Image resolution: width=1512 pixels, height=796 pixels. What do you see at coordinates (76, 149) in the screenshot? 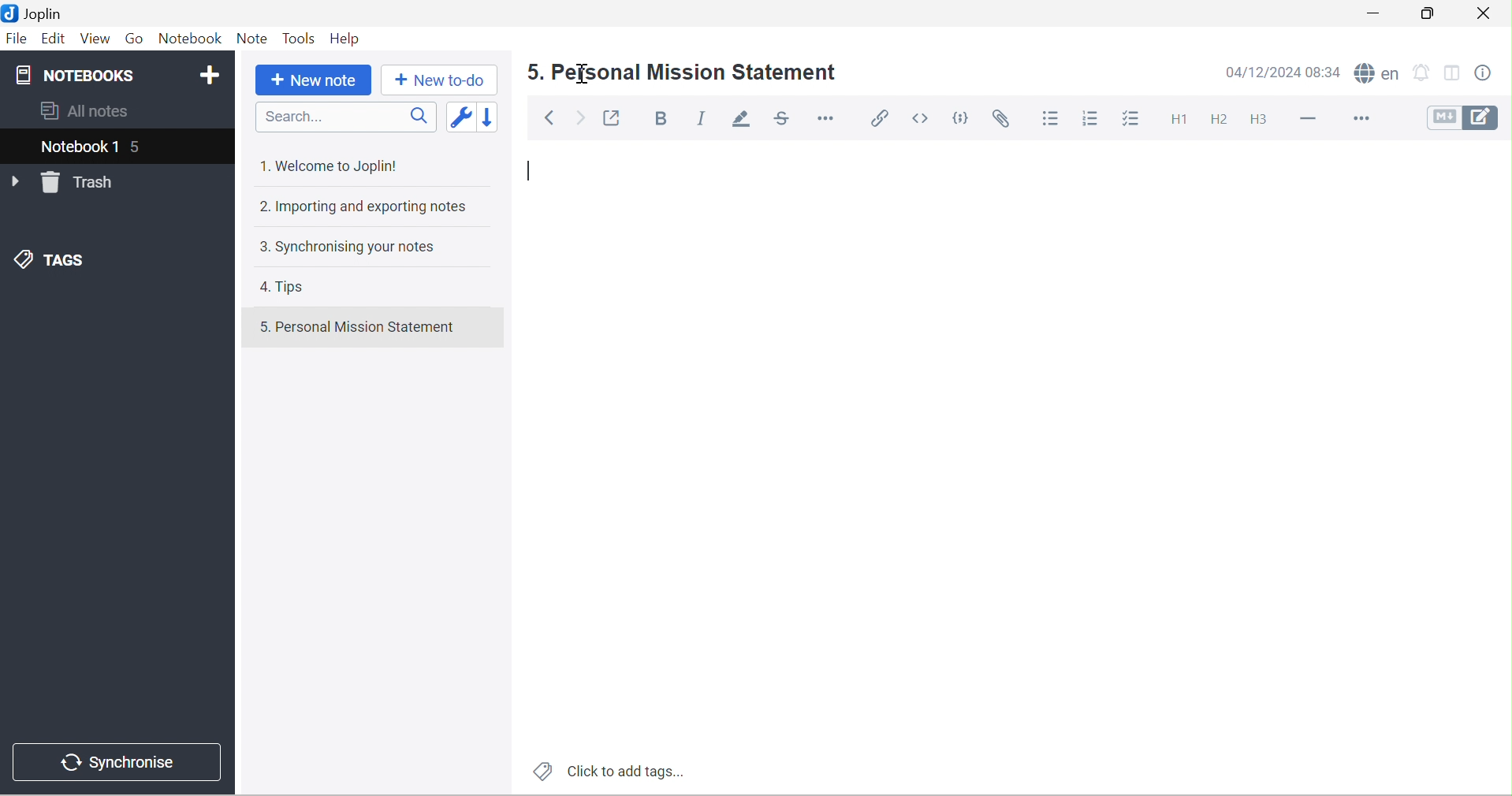
I see `Notebook 1` at bounding box center [76, 149].